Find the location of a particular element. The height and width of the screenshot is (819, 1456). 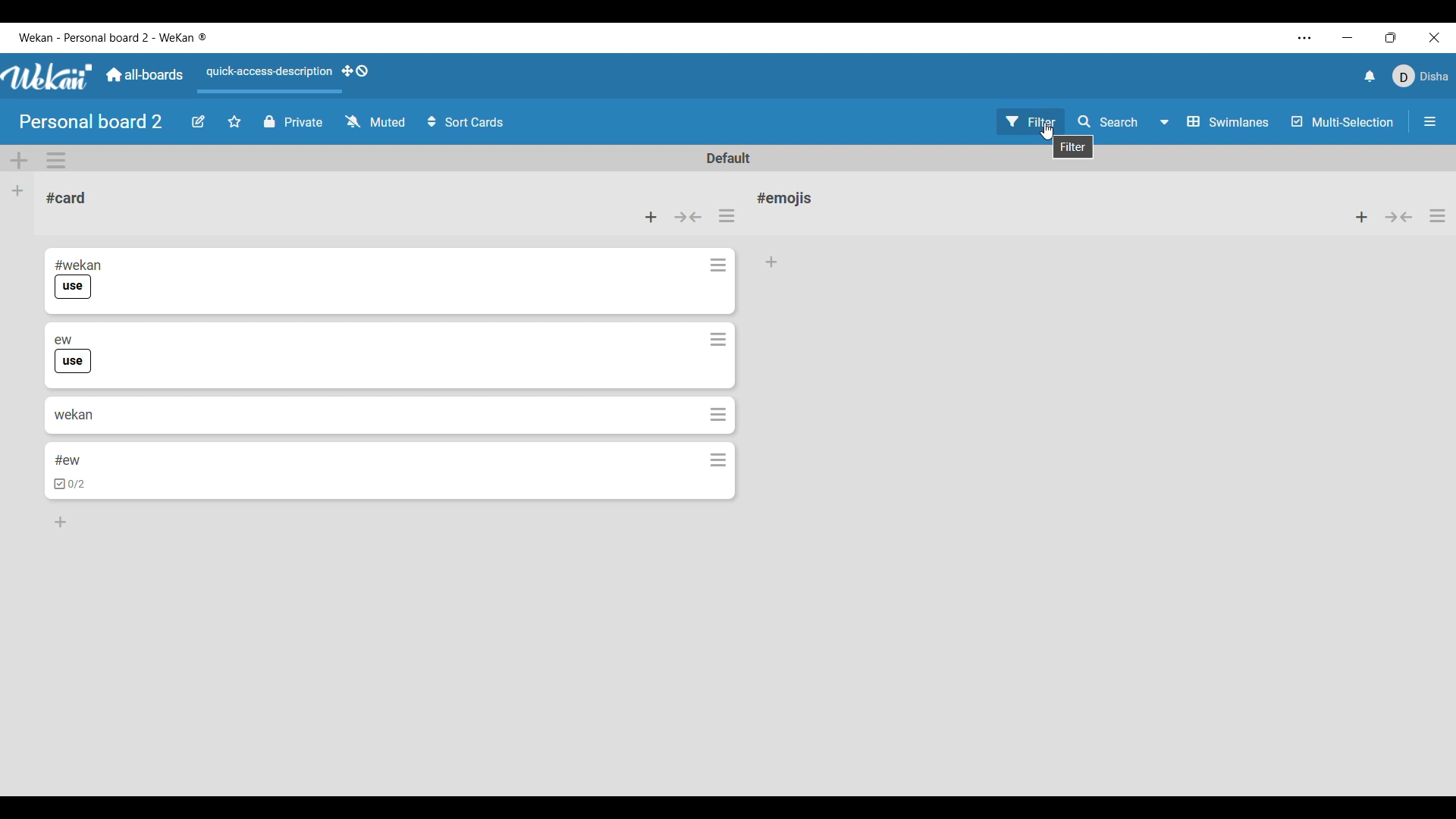

ew is located at coordinates (64, 338).